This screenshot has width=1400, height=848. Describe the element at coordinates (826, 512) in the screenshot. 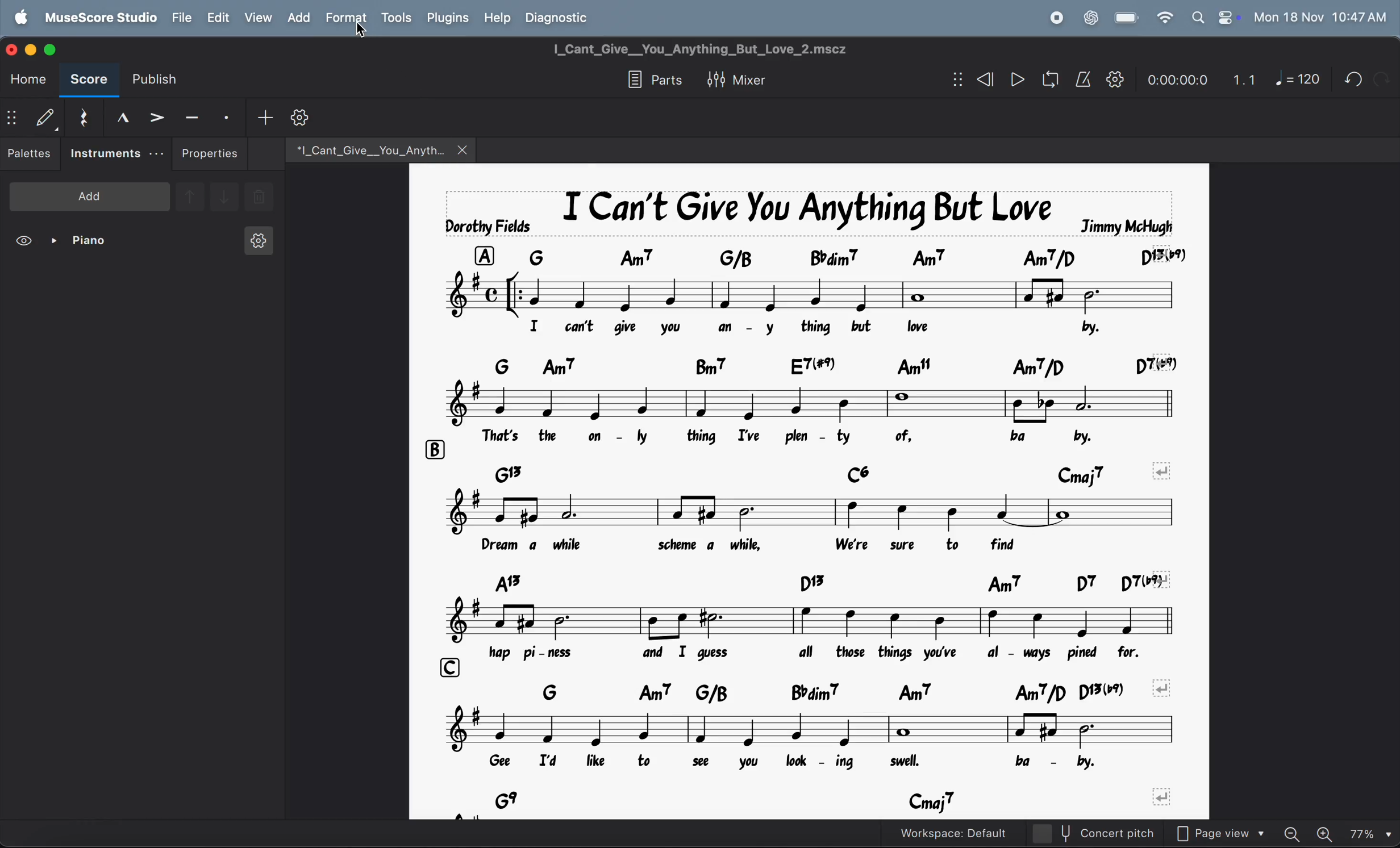

I see `notes` at that location.